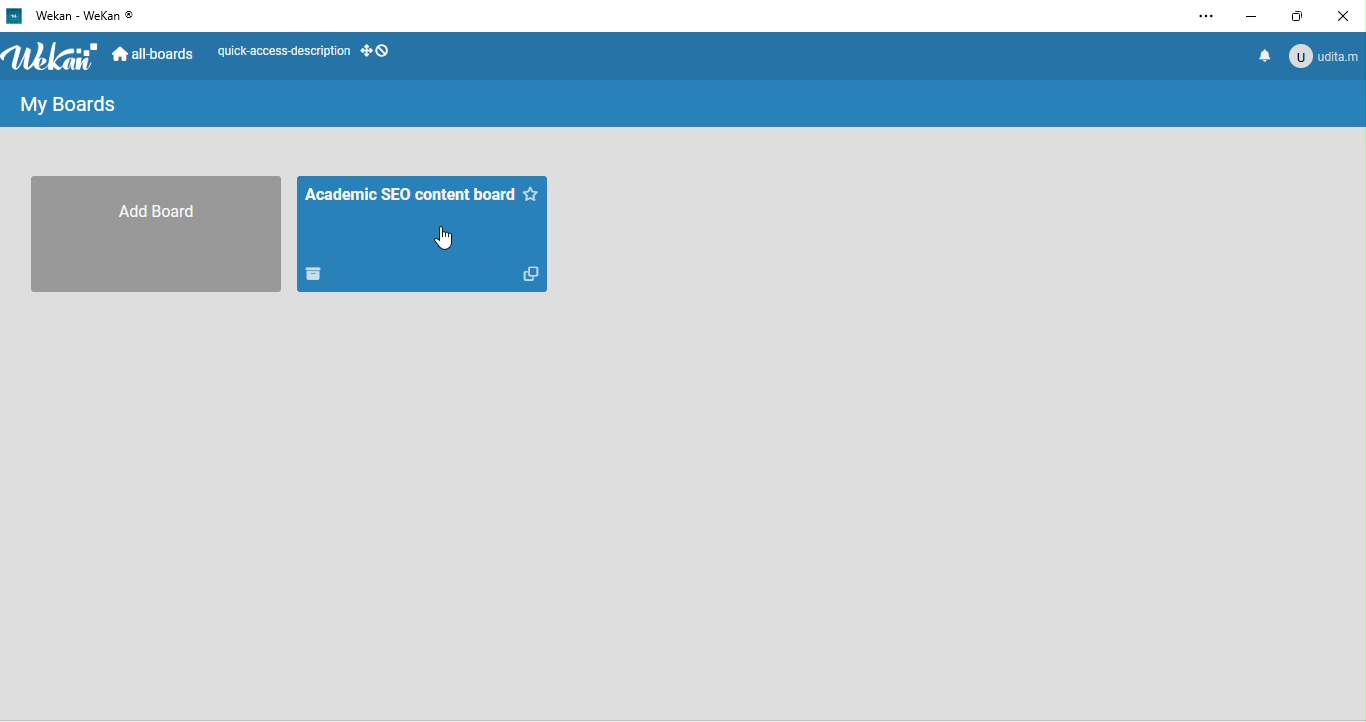  What do you see at coordinates (1346, 15) in the screenshot?
I see `close` at bounding box center [1346, 15].